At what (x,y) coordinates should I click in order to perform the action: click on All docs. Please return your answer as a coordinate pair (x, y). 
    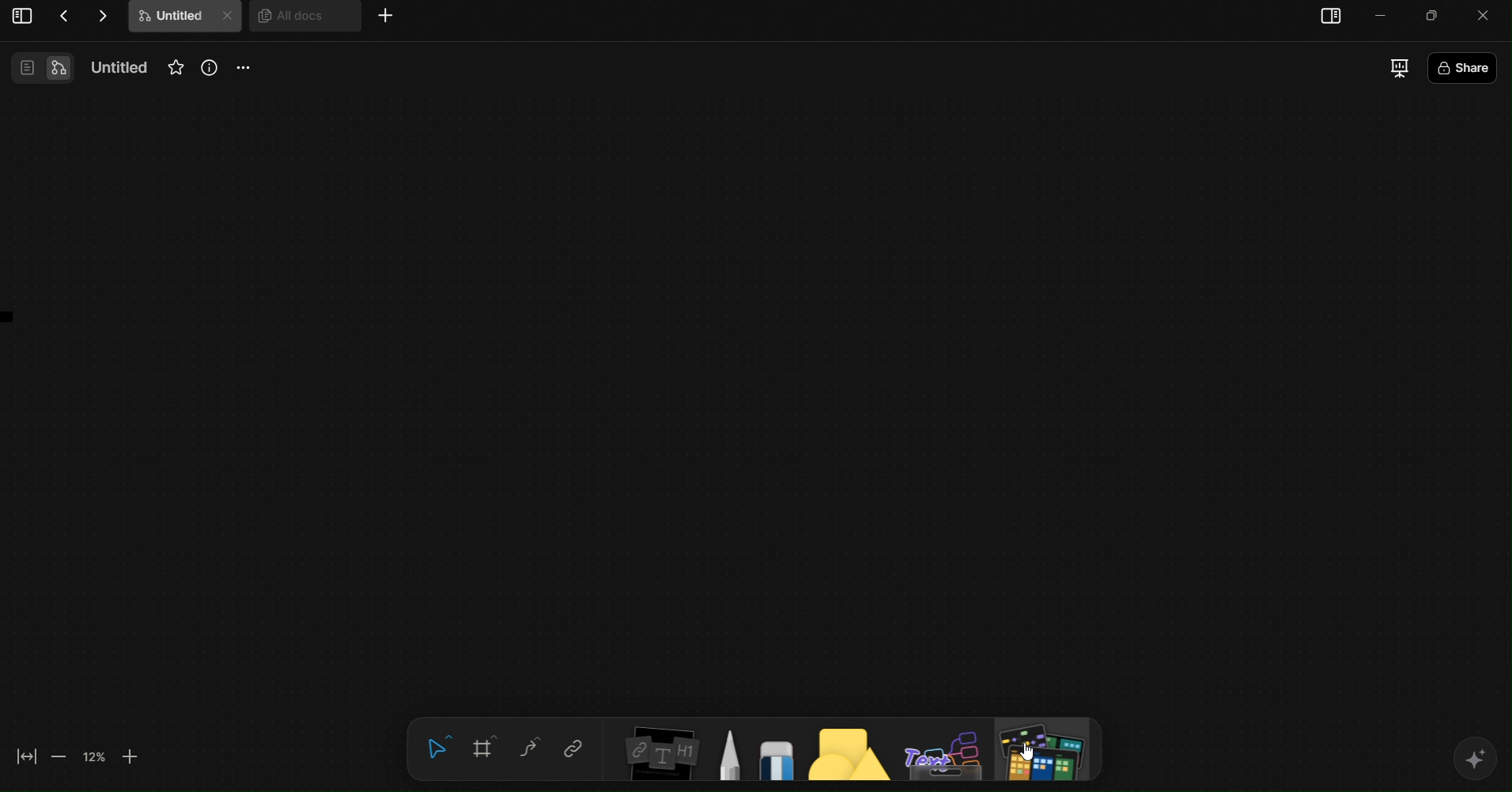
    Looking at the image, I should click on (302, 23).